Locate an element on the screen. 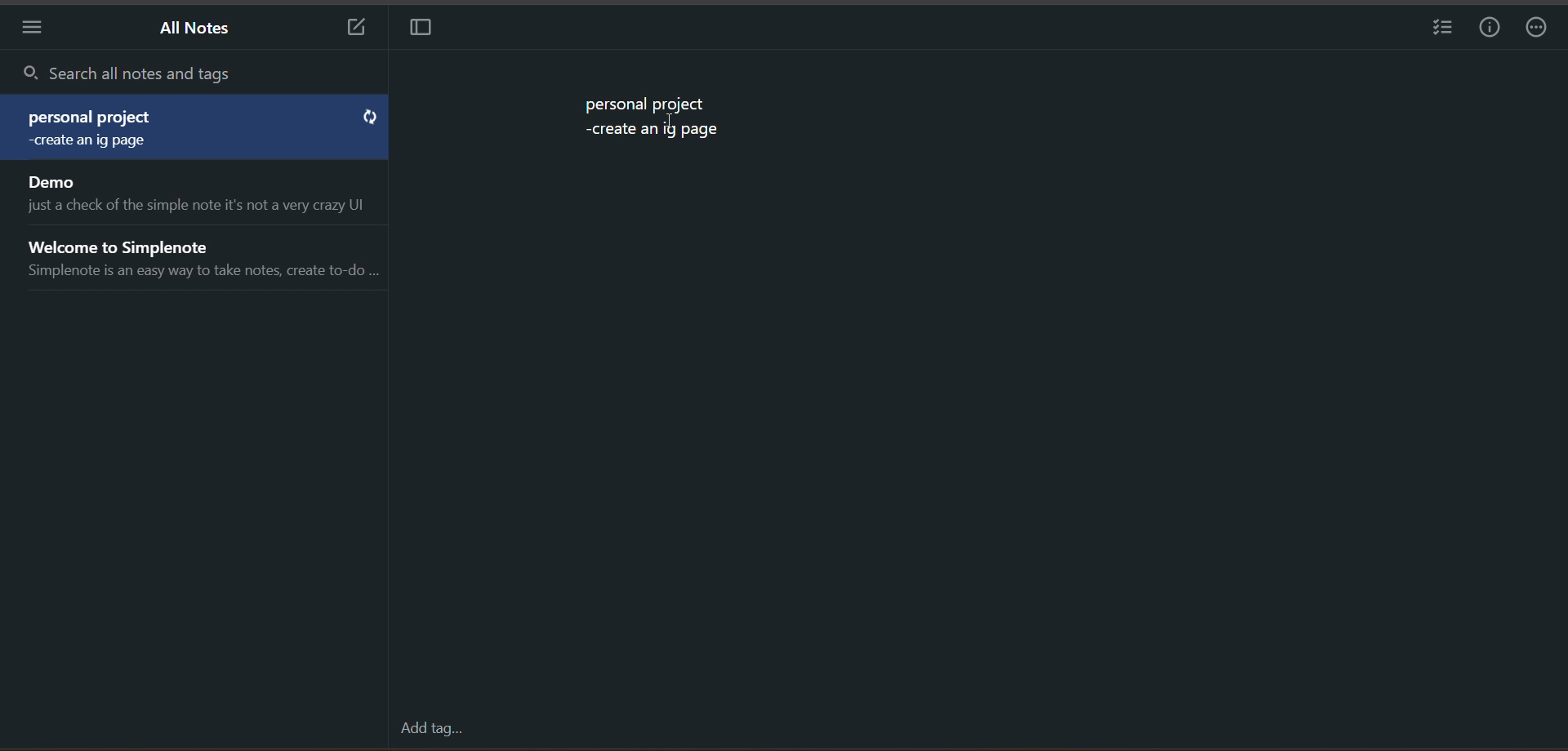  note title or heading is located at coordinates (645, 104).